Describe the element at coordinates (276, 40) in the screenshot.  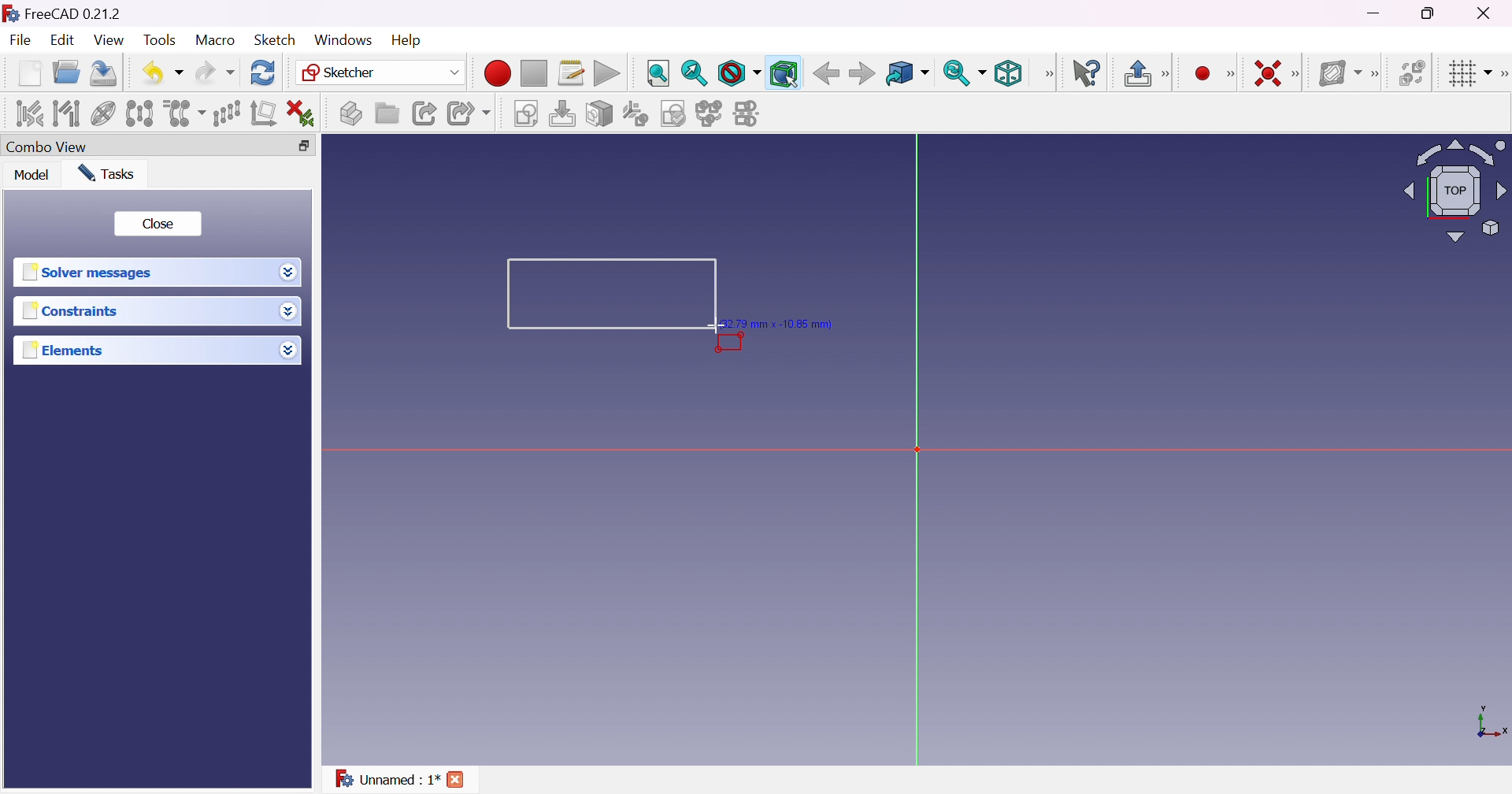
I see `Sketch` at that location.